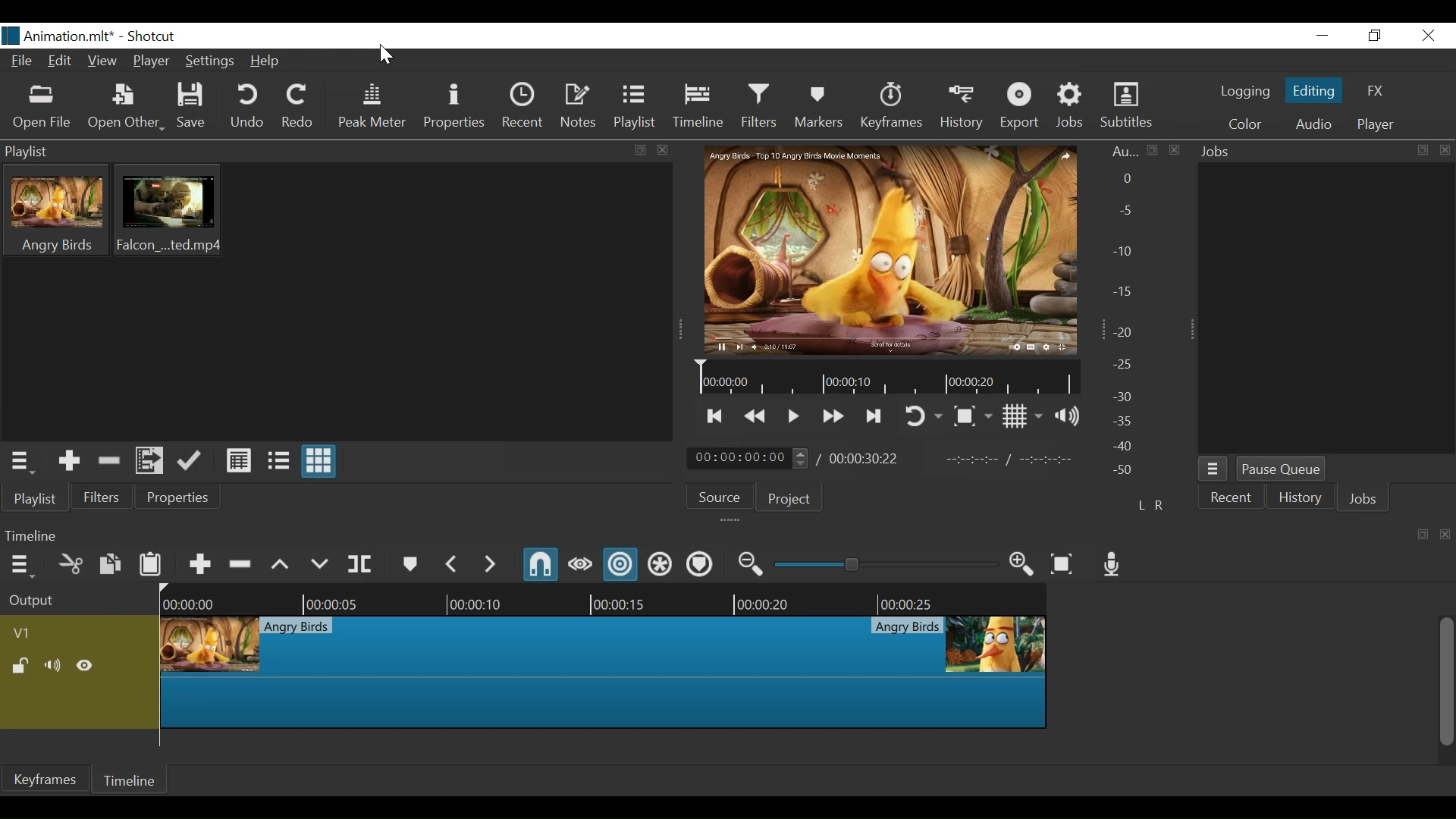 This screenshot has height=819, width=1456. I want to click on Record Audio, so click(1112, 565).